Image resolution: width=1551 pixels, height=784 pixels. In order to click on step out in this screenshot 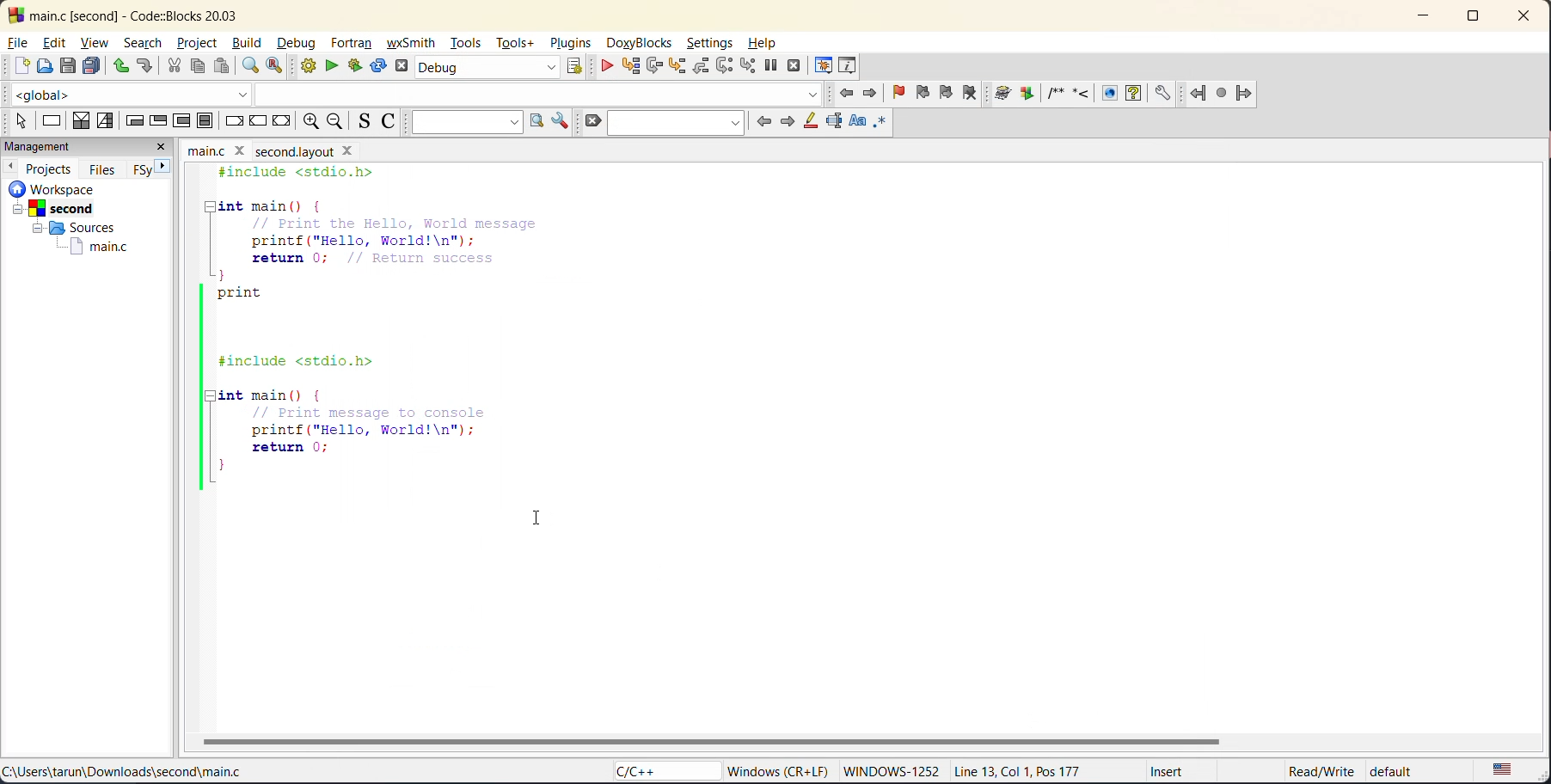, I will do `click(698, 66)`.